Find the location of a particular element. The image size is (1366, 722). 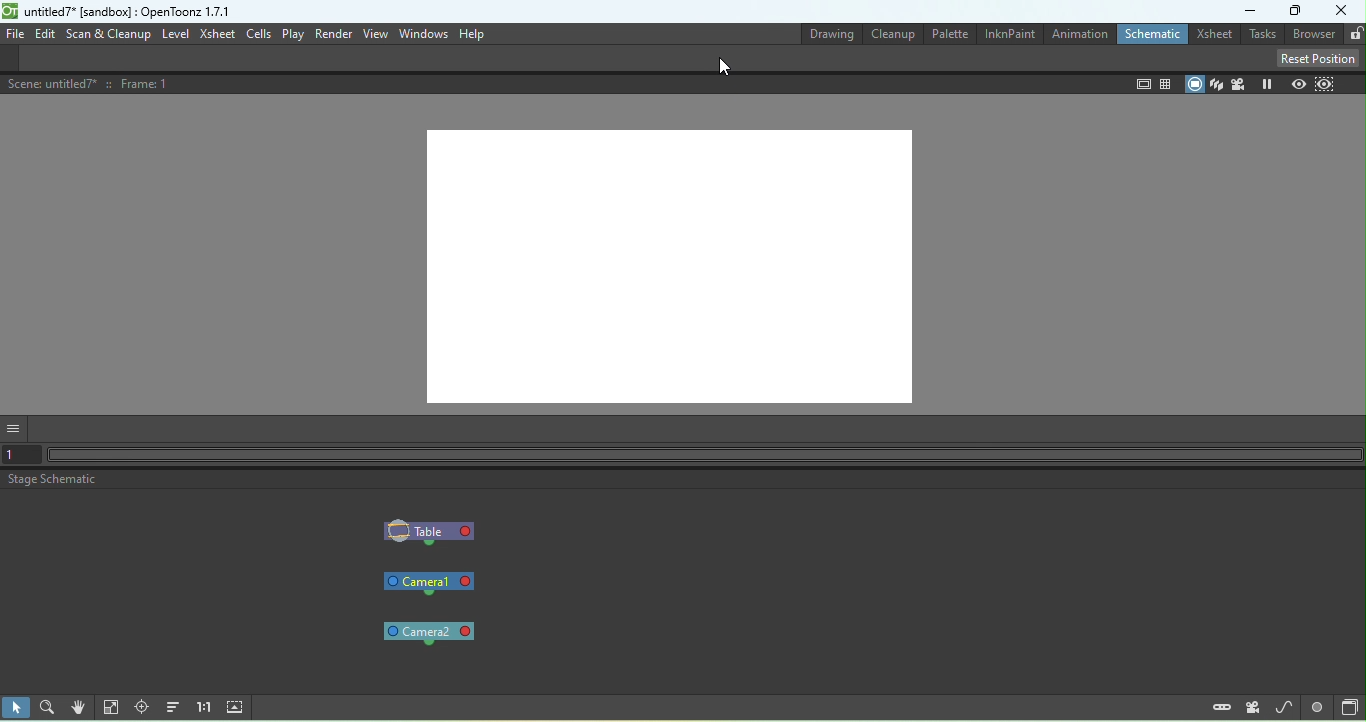

Safe area is located at coordinates (1142, 86).